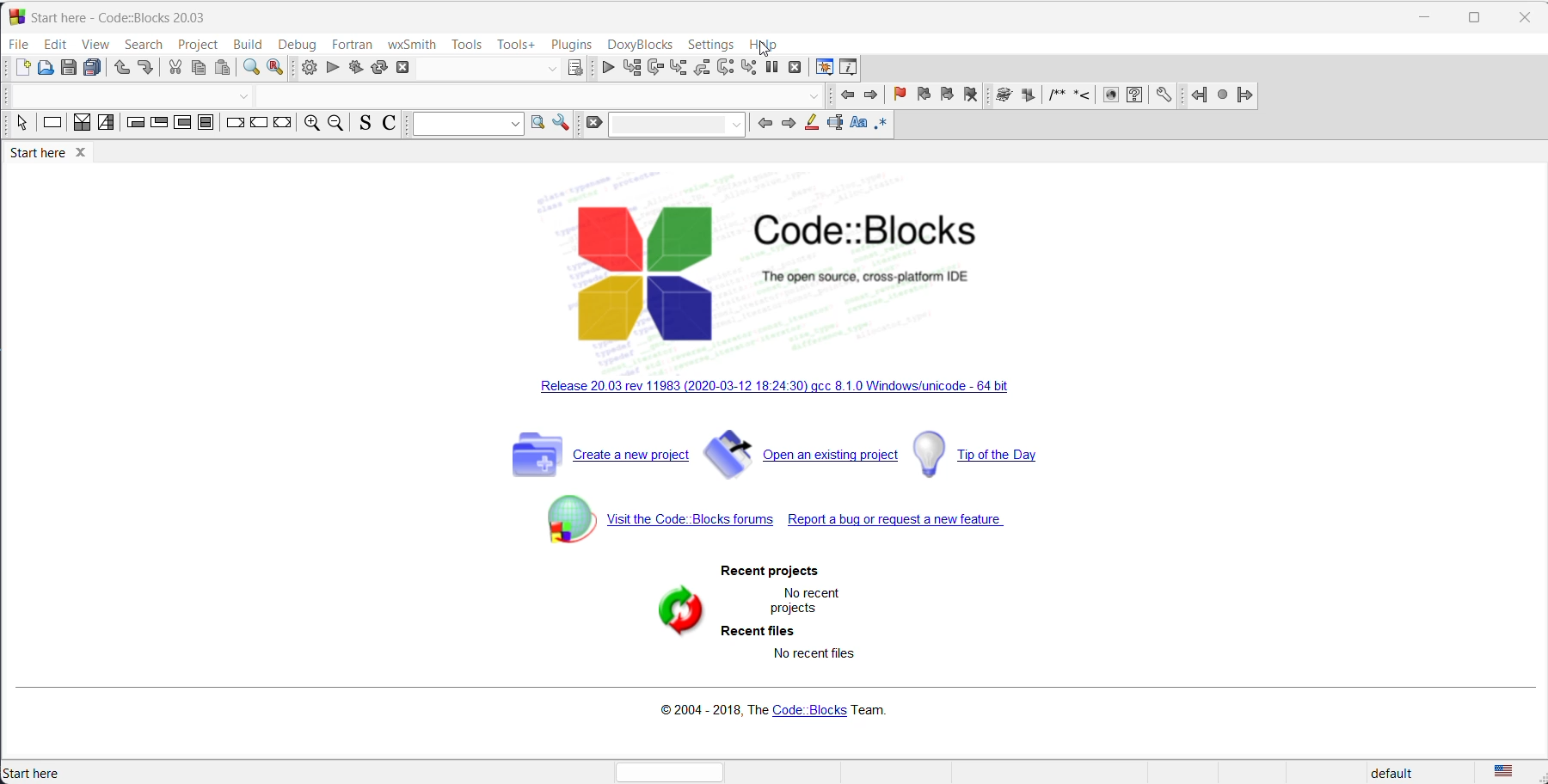 This screenshot has height=784, width=1548. What do you see at coordinates (822, 67) in the screenshot?
I see `debugging window` at bounding box center [822, 67].